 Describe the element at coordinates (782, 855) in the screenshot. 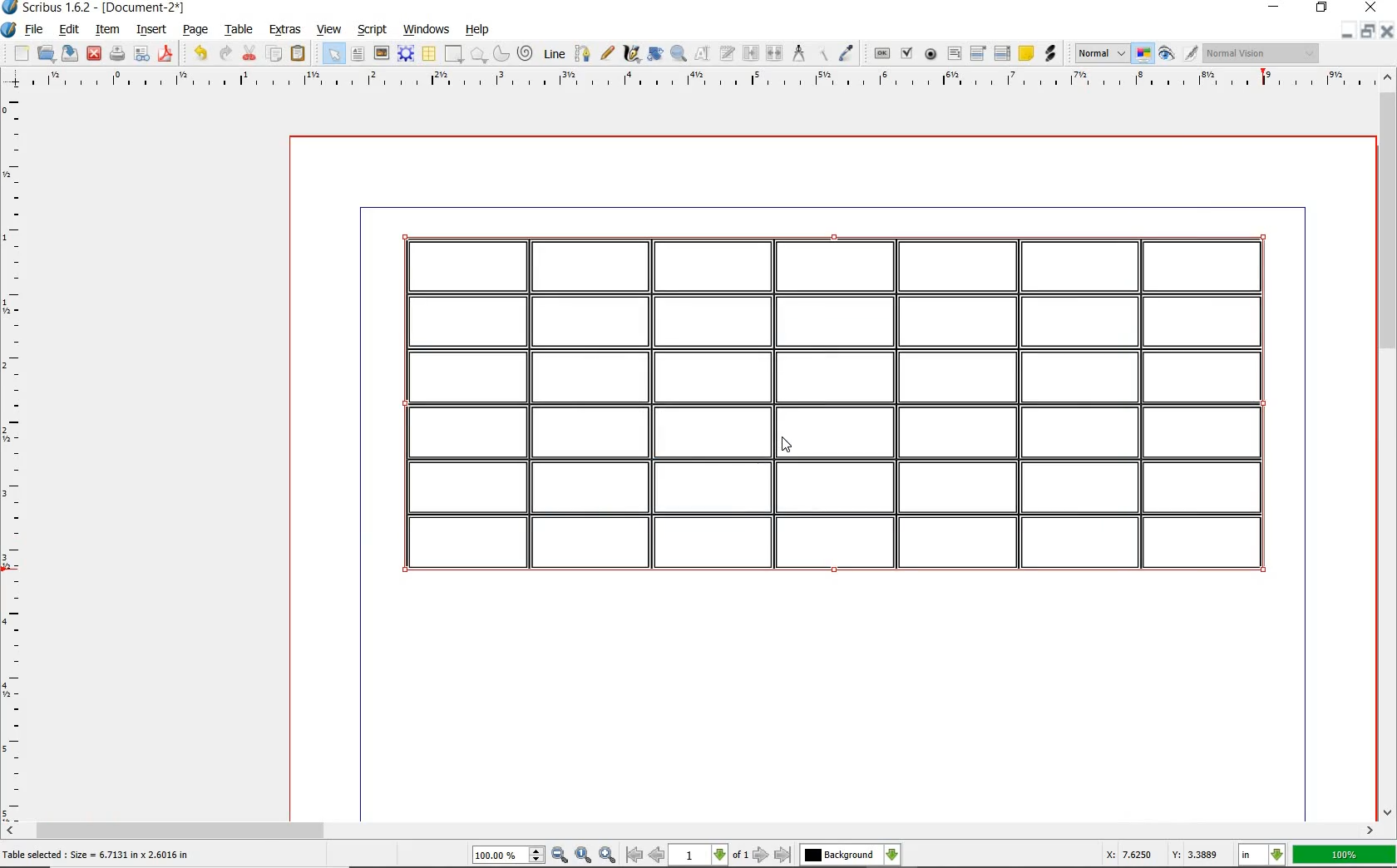

I see `go to last page` at that location.